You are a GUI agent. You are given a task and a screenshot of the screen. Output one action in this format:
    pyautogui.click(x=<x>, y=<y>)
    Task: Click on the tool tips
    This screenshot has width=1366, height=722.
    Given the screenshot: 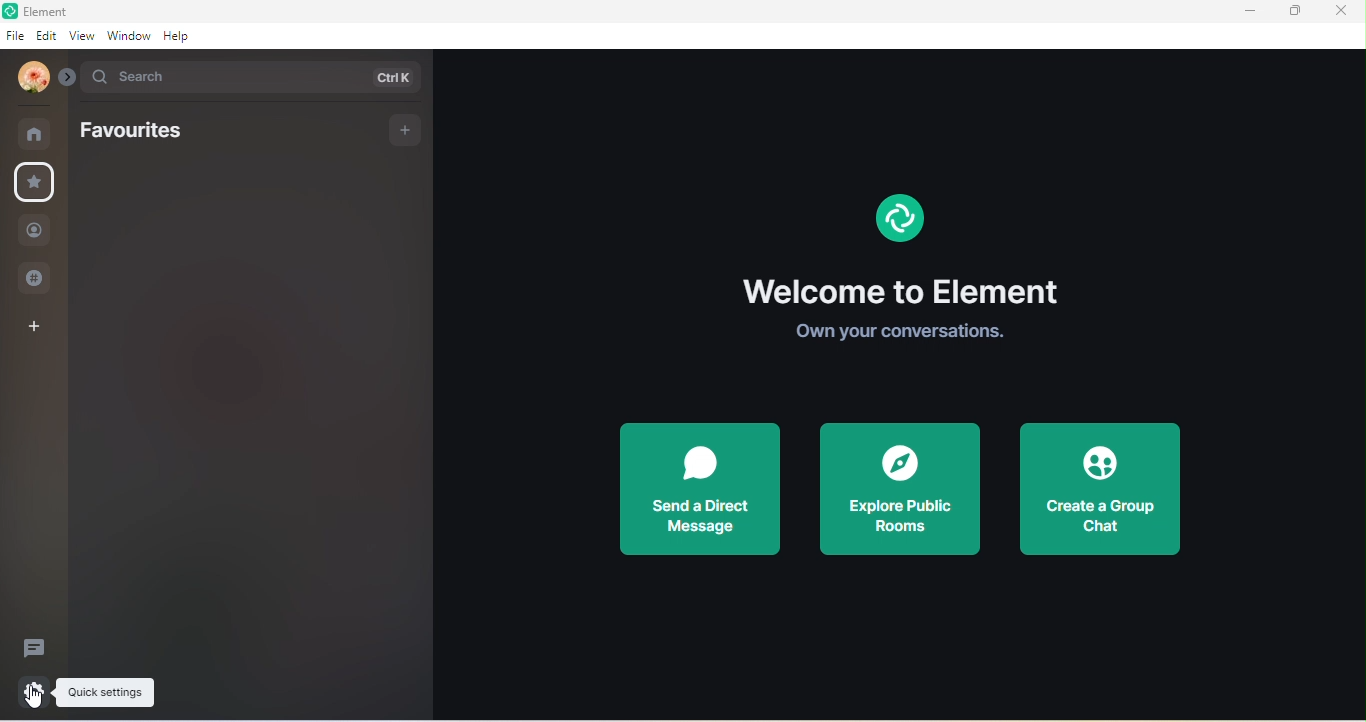 What is the action you would take?
    pyautogui.click(x=105, y=693)
    